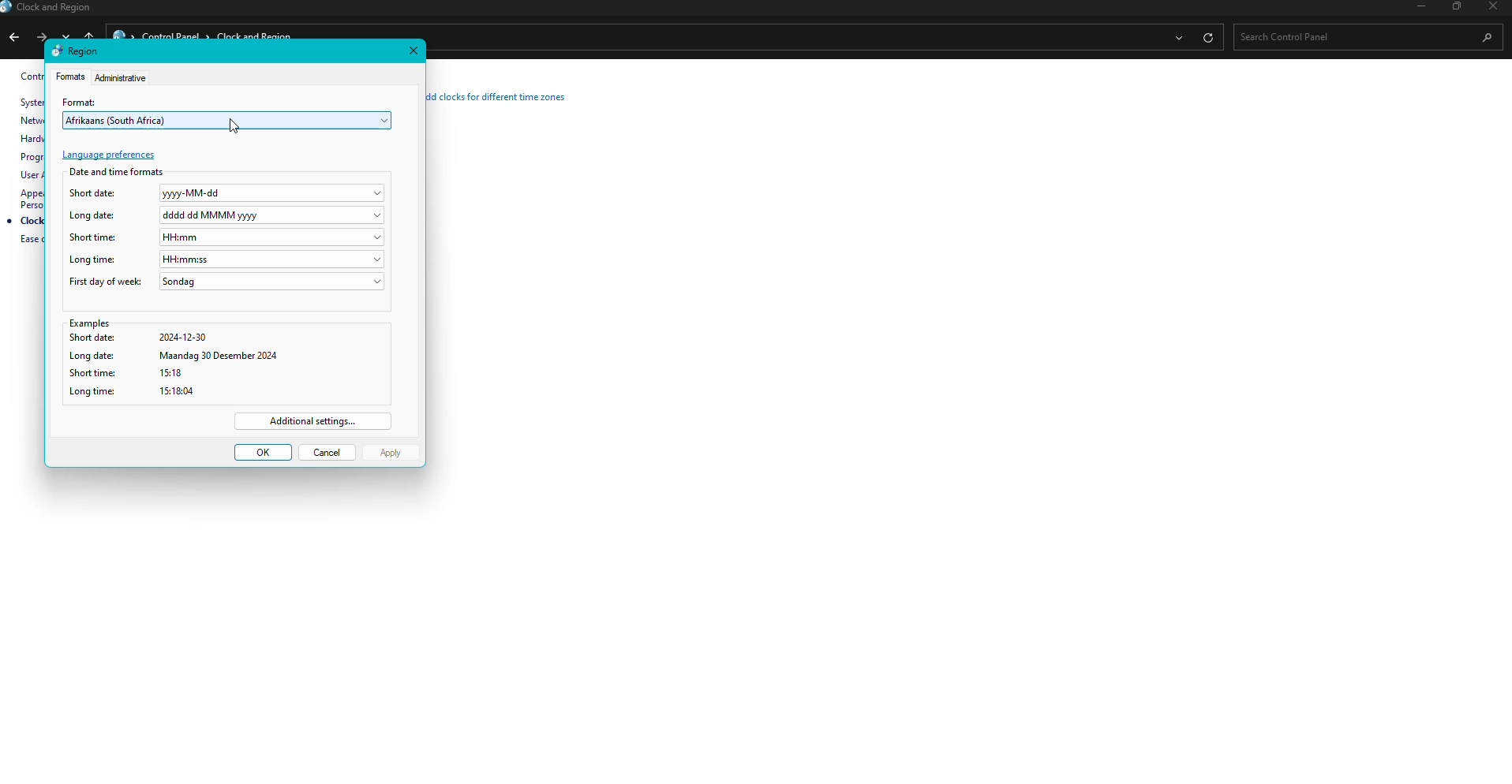 This screenshot has height=784, width=1512. I want to click on Restore, so click(1454, 7).